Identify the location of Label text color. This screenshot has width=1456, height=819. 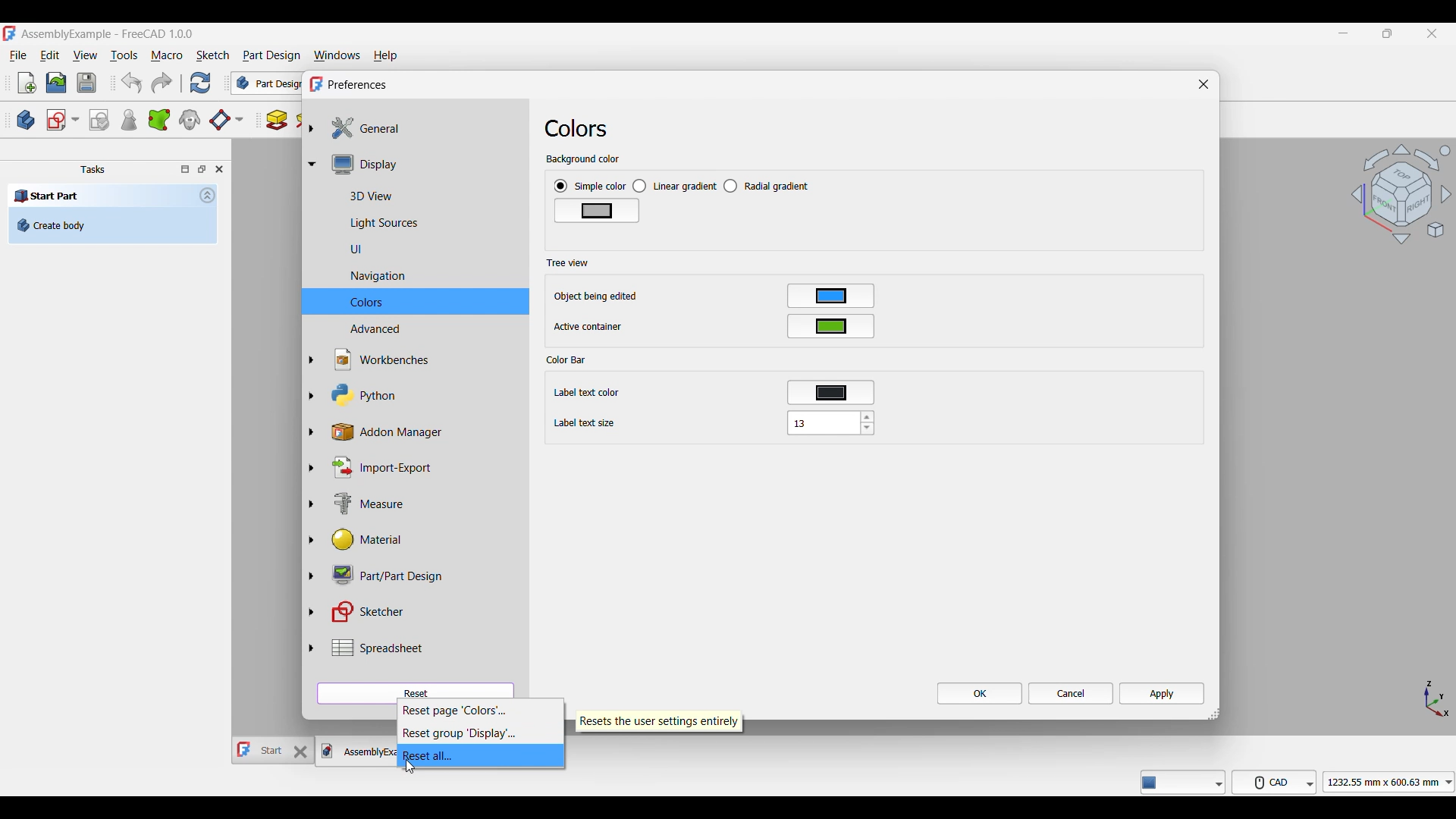
(586, 393).